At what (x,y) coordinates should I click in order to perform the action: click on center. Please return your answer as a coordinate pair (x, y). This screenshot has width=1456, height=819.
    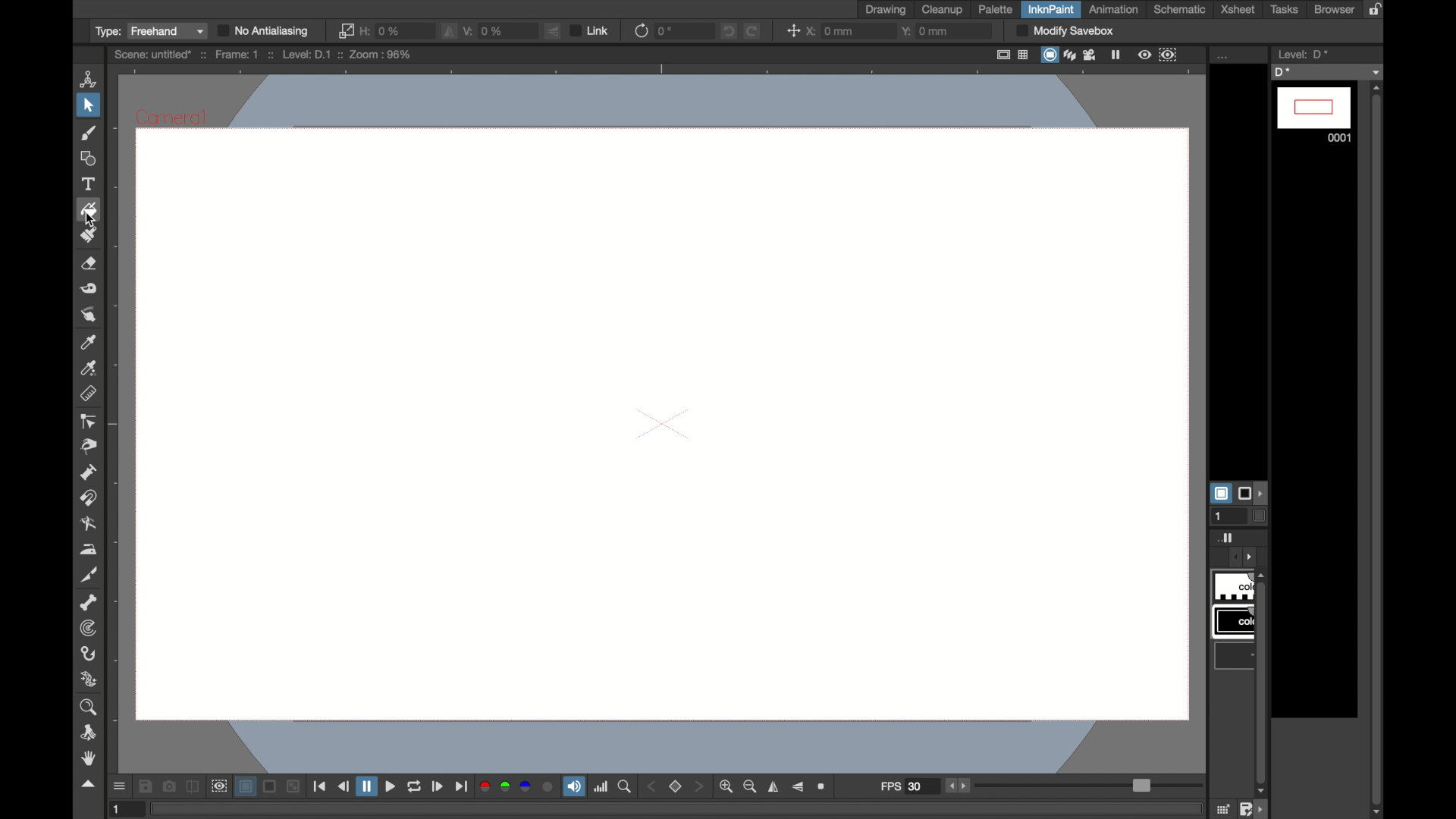
    Looking at the image, I should click on (791, 31).